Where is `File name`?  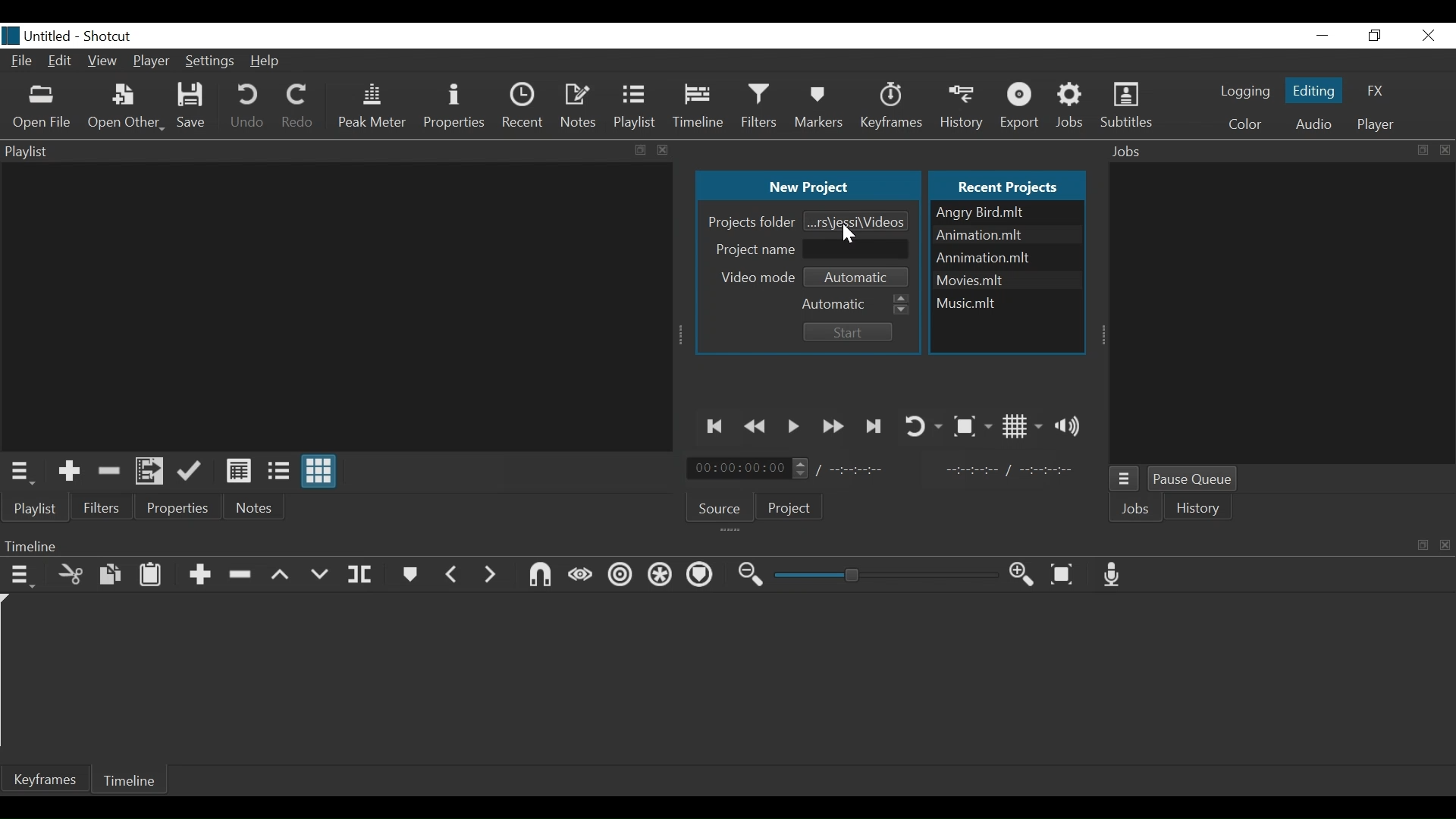 File name is located at coordinates (37, 36).